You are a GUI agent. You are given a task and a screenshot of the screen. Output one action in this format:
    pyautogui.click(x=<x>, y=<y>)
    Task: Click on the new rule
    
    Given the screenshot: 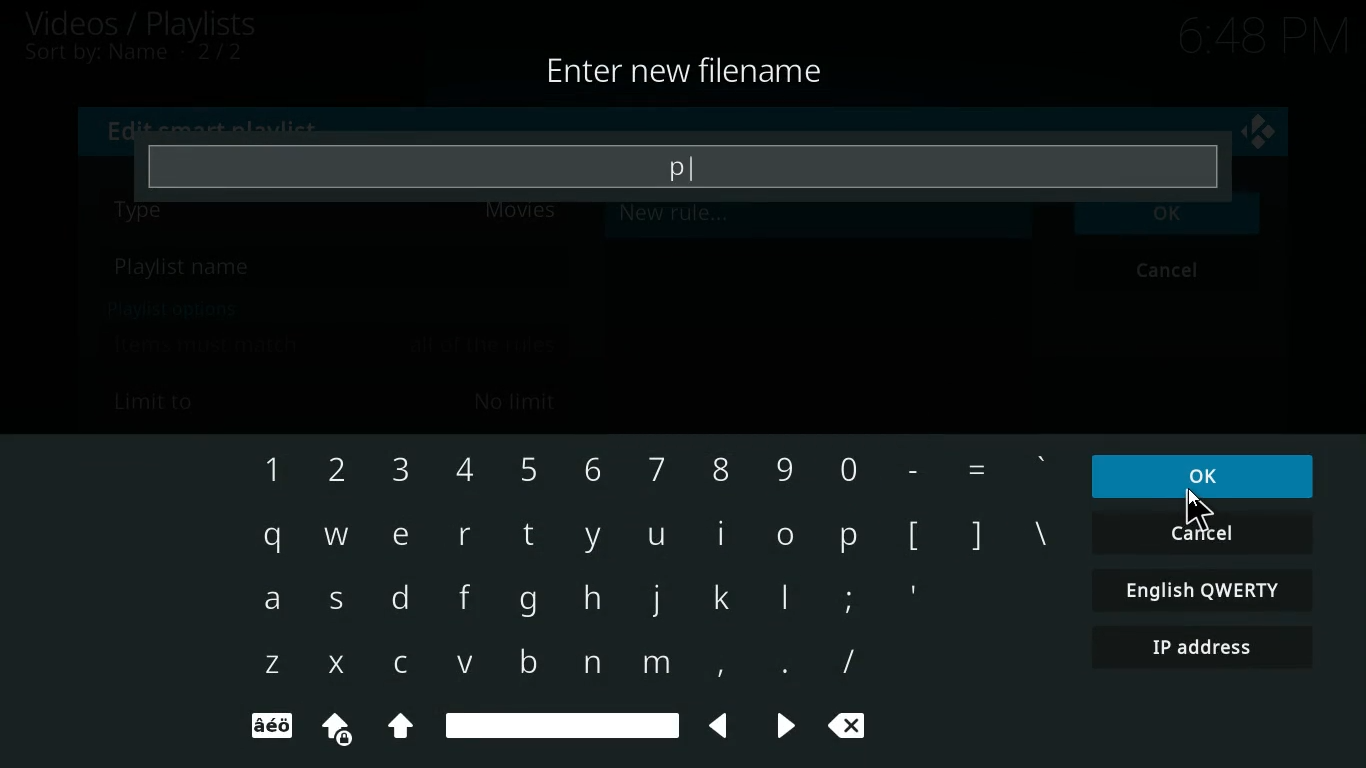 What is the action you would take?
    pyautogui.click(x=722, y=219)
    